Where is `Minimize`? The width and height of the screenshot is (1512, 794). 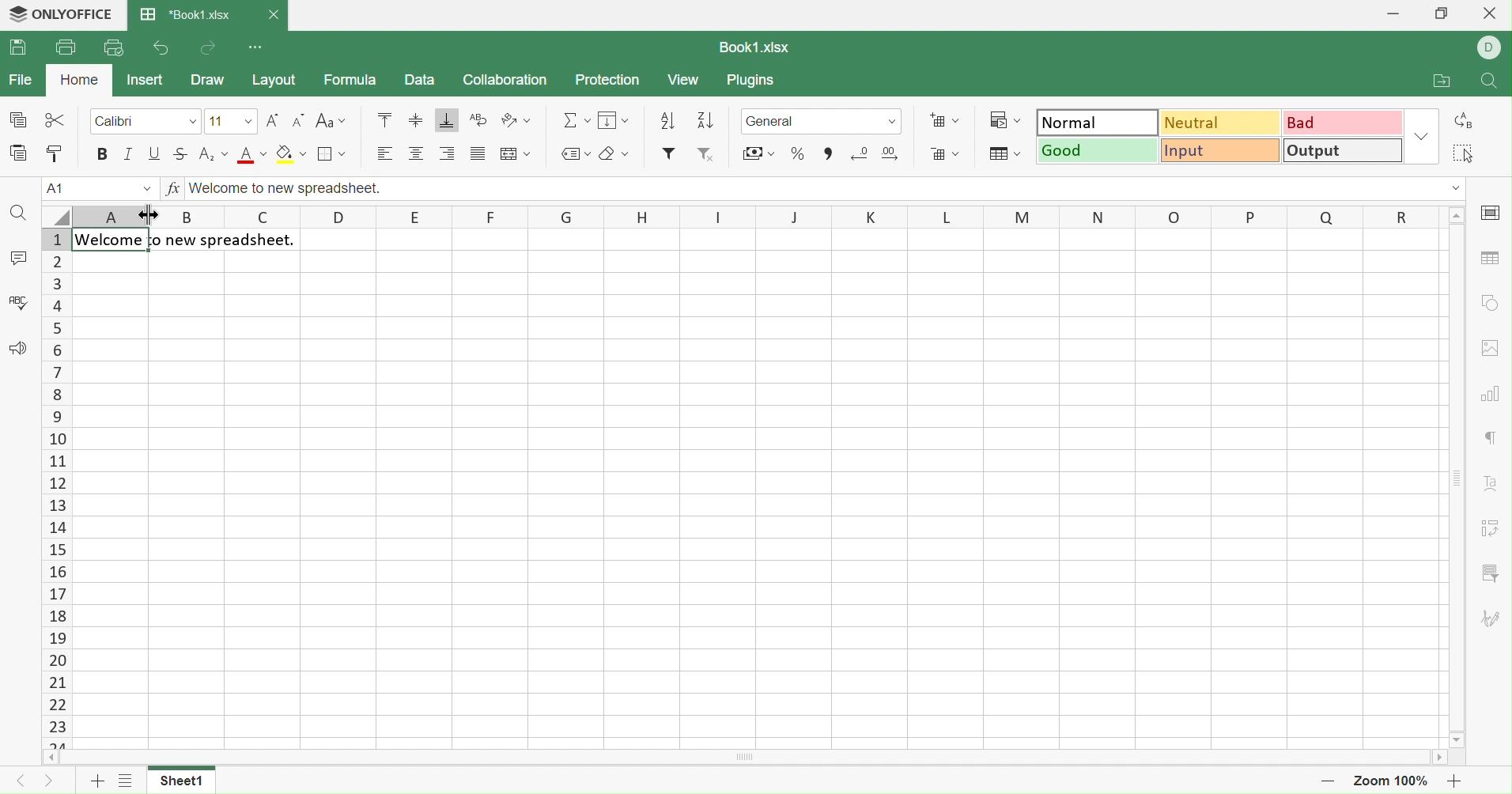 Minimize is located at coordinates (1387, 13).